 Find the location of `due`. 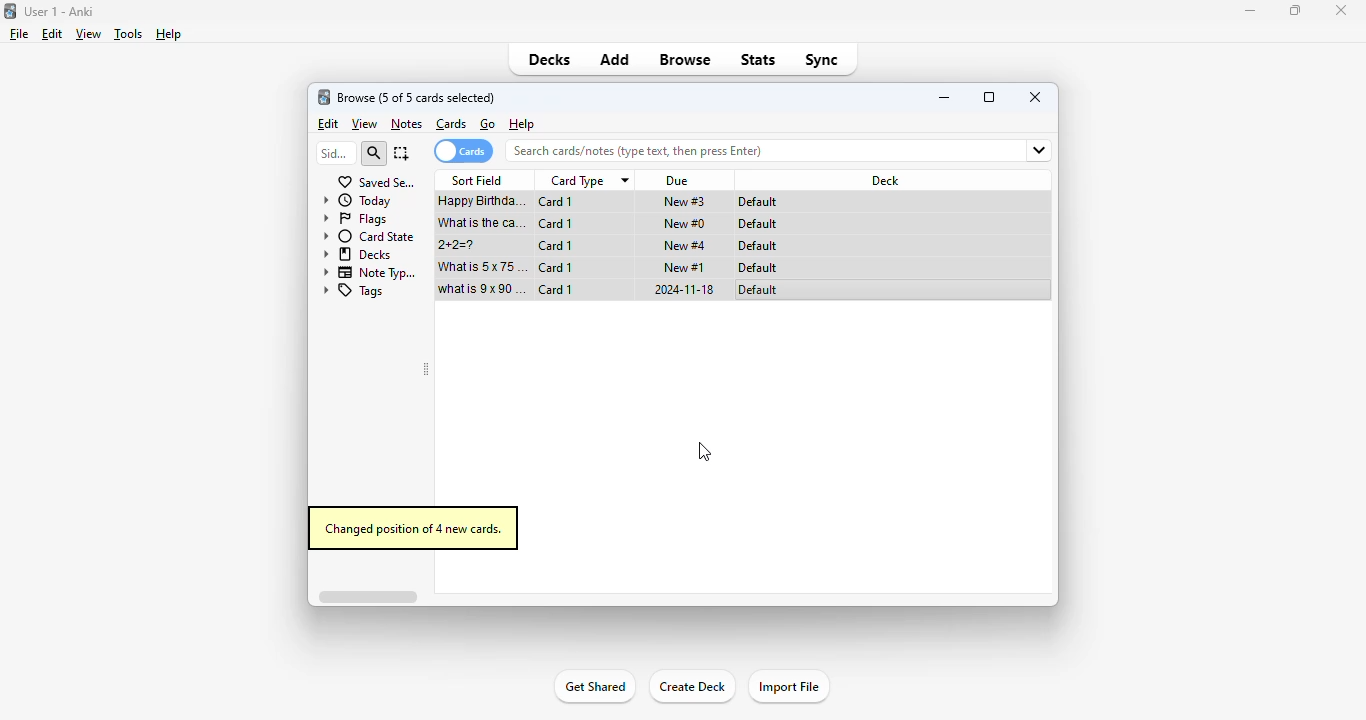

due is located at coordinates (679, 181).